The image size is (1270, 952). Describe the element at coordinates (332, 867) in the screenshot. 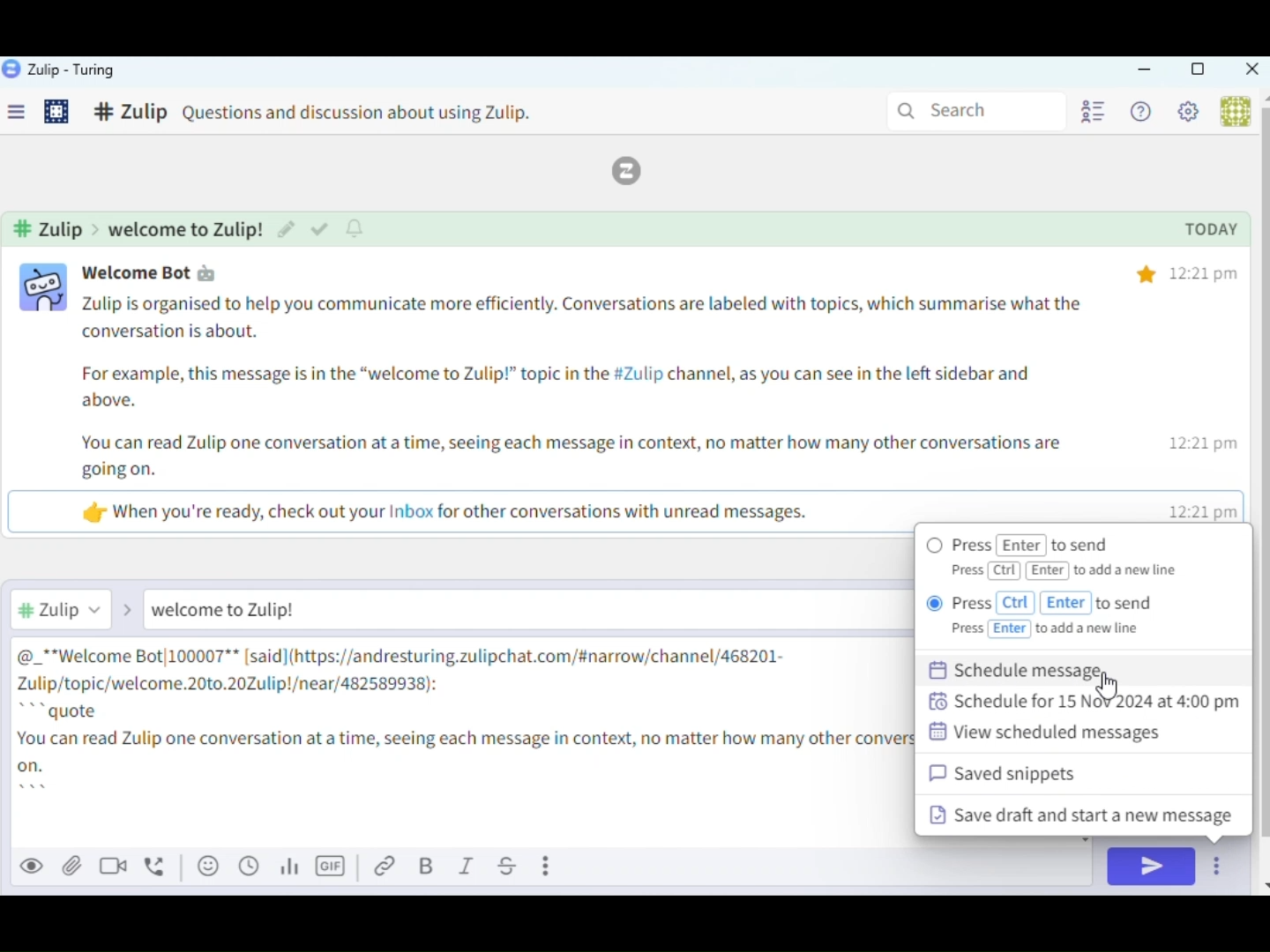

I see `Gif` at that location.